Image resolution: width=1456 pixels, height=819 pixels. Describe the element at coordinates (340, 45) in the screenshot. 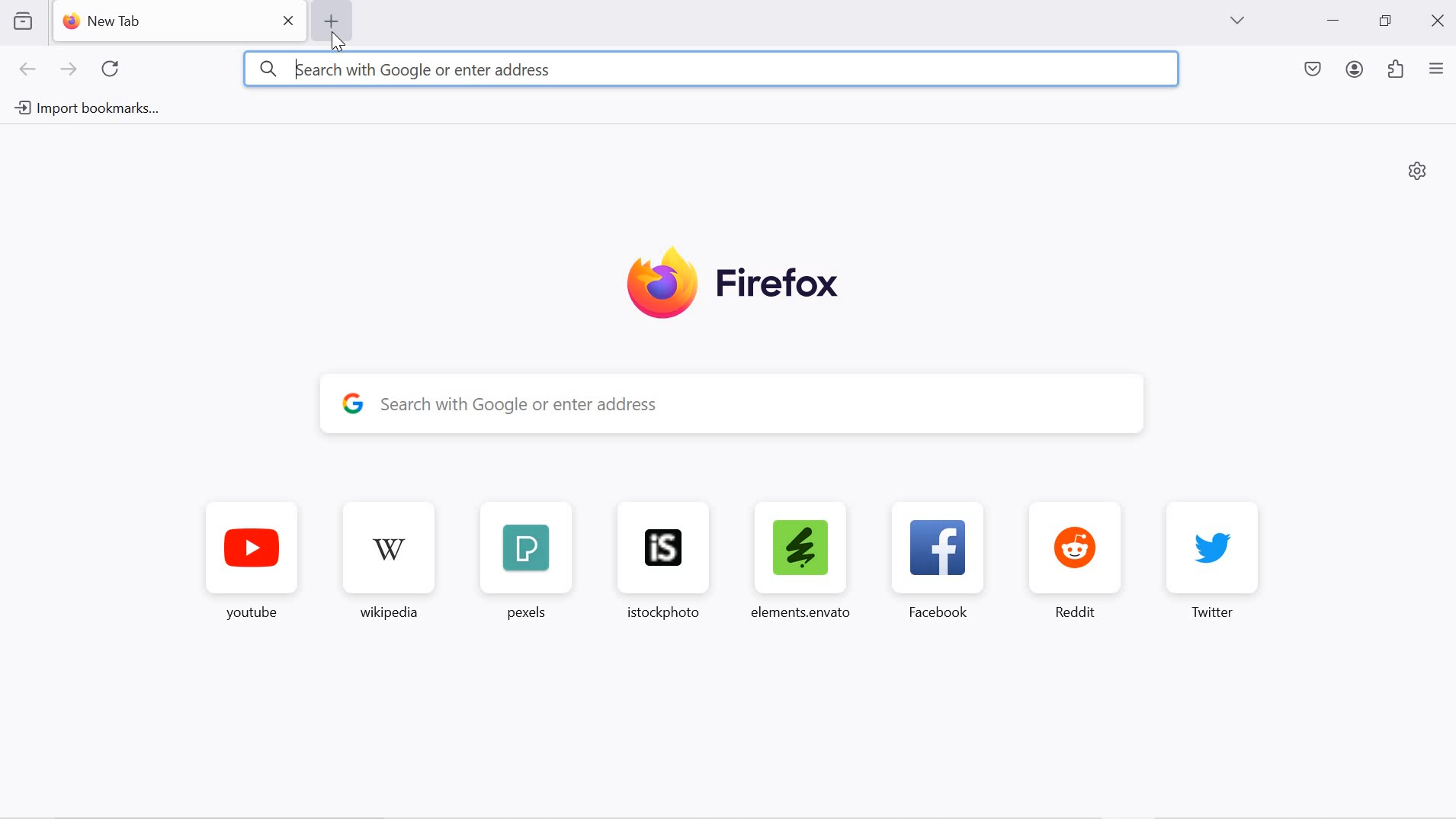

I see `cursor` at that location.